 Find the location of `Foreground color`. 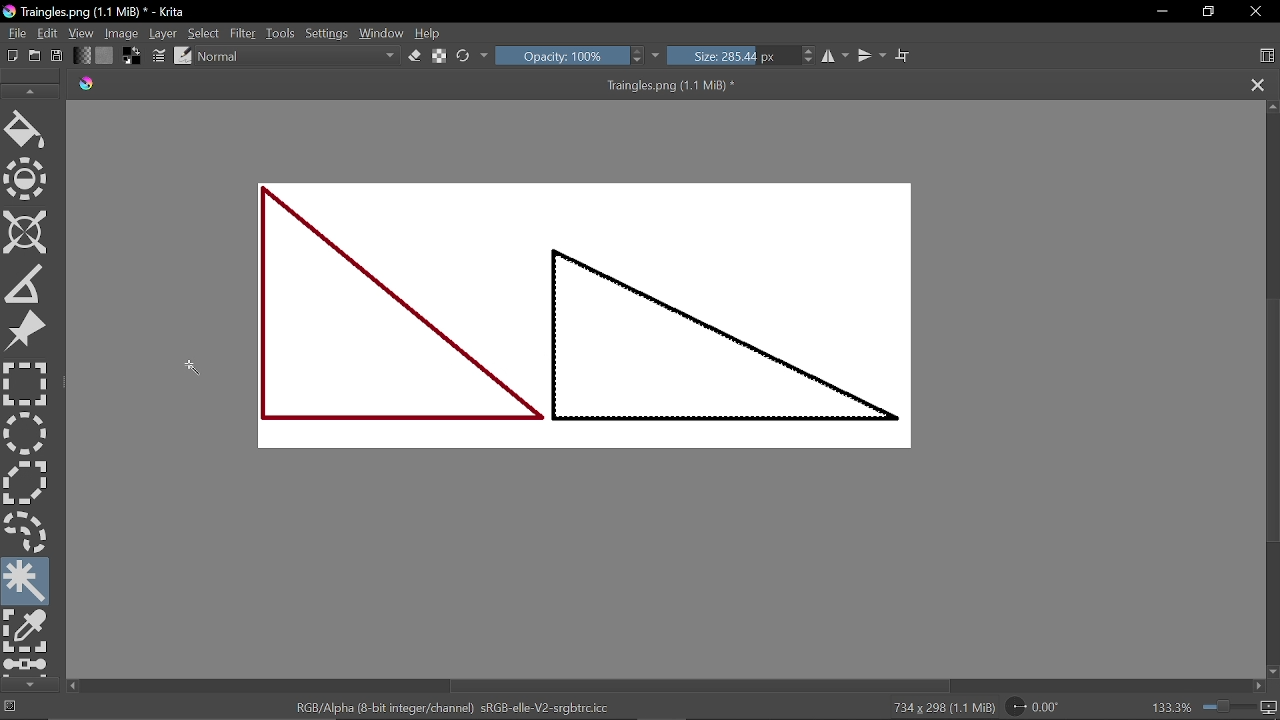

Foreground color is located at coordinates (130, 56).